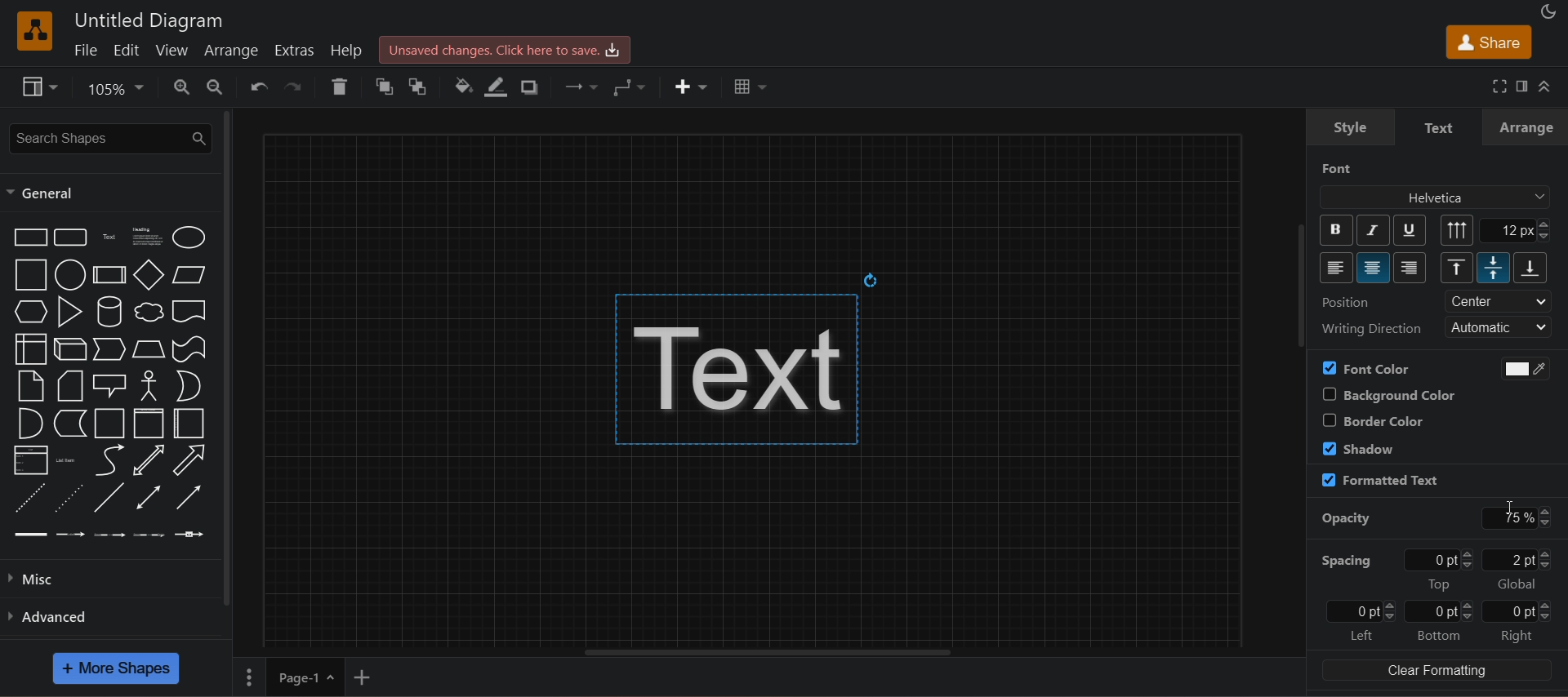 The image size is (1568, 697). I want to click on connection, so click(578, 84).